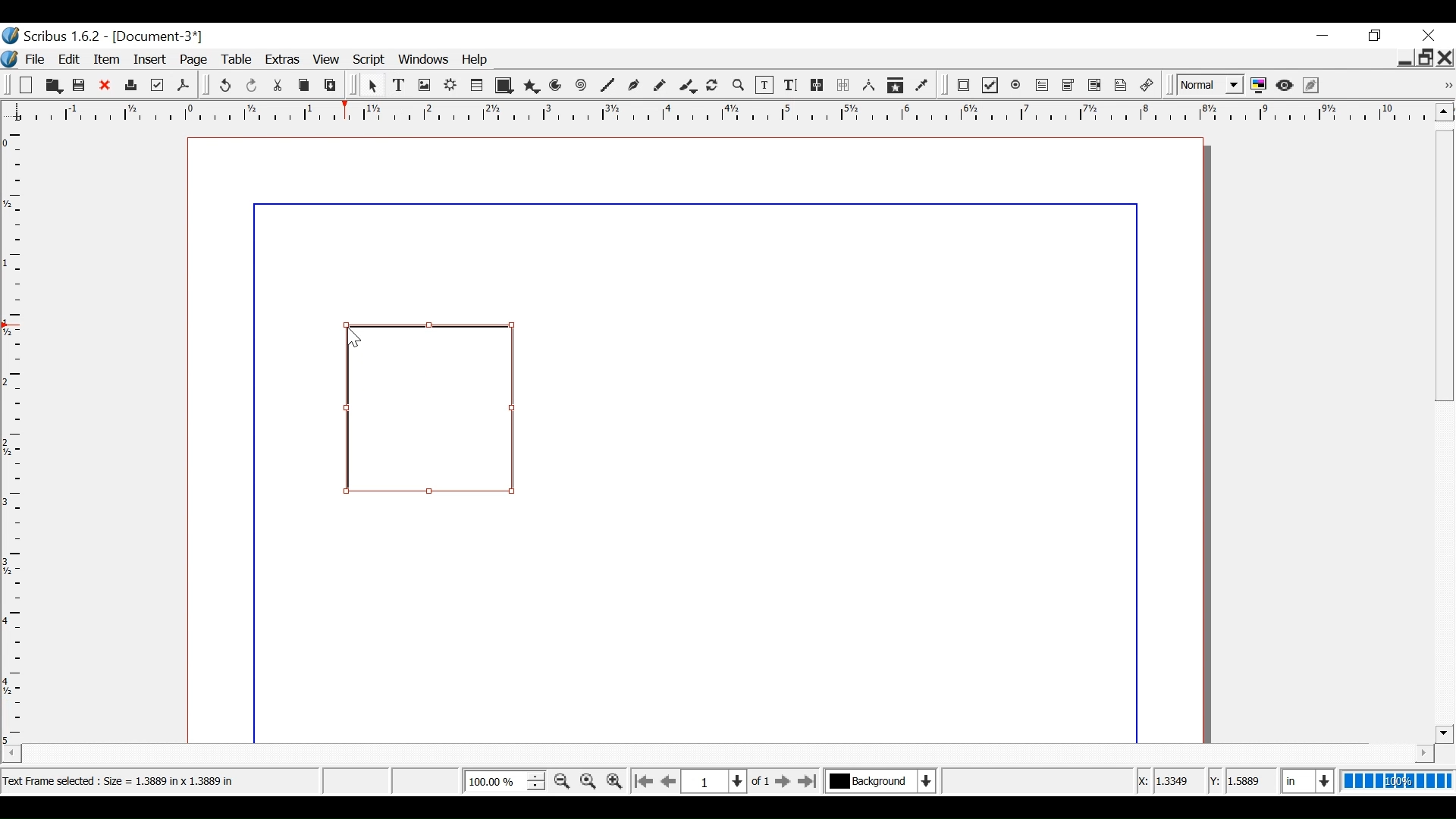  I want to click on Table, so click(237, 60).